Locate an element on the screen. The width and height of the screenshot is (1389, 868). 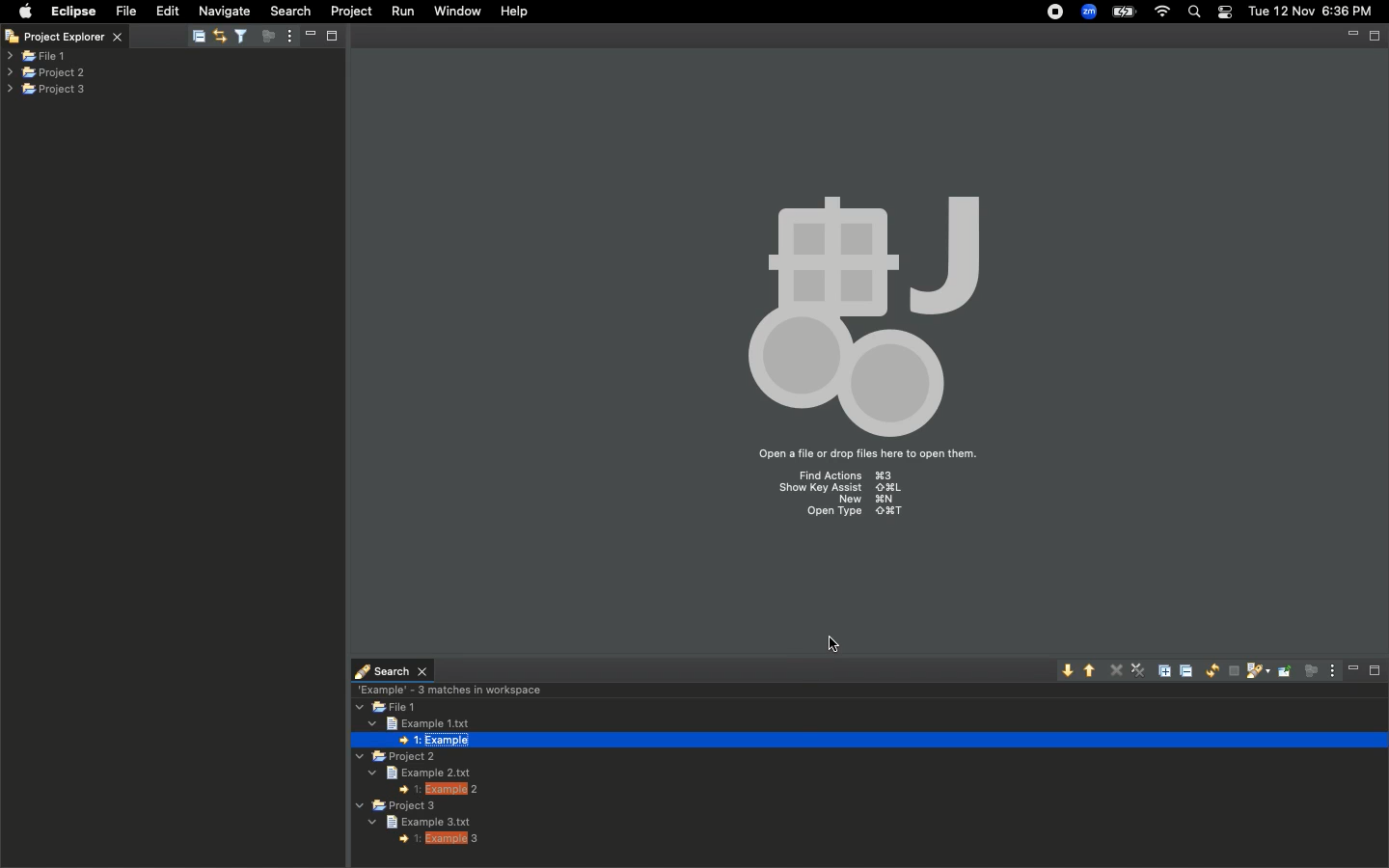
Show previous searches is located at coordinates (1256, 671).